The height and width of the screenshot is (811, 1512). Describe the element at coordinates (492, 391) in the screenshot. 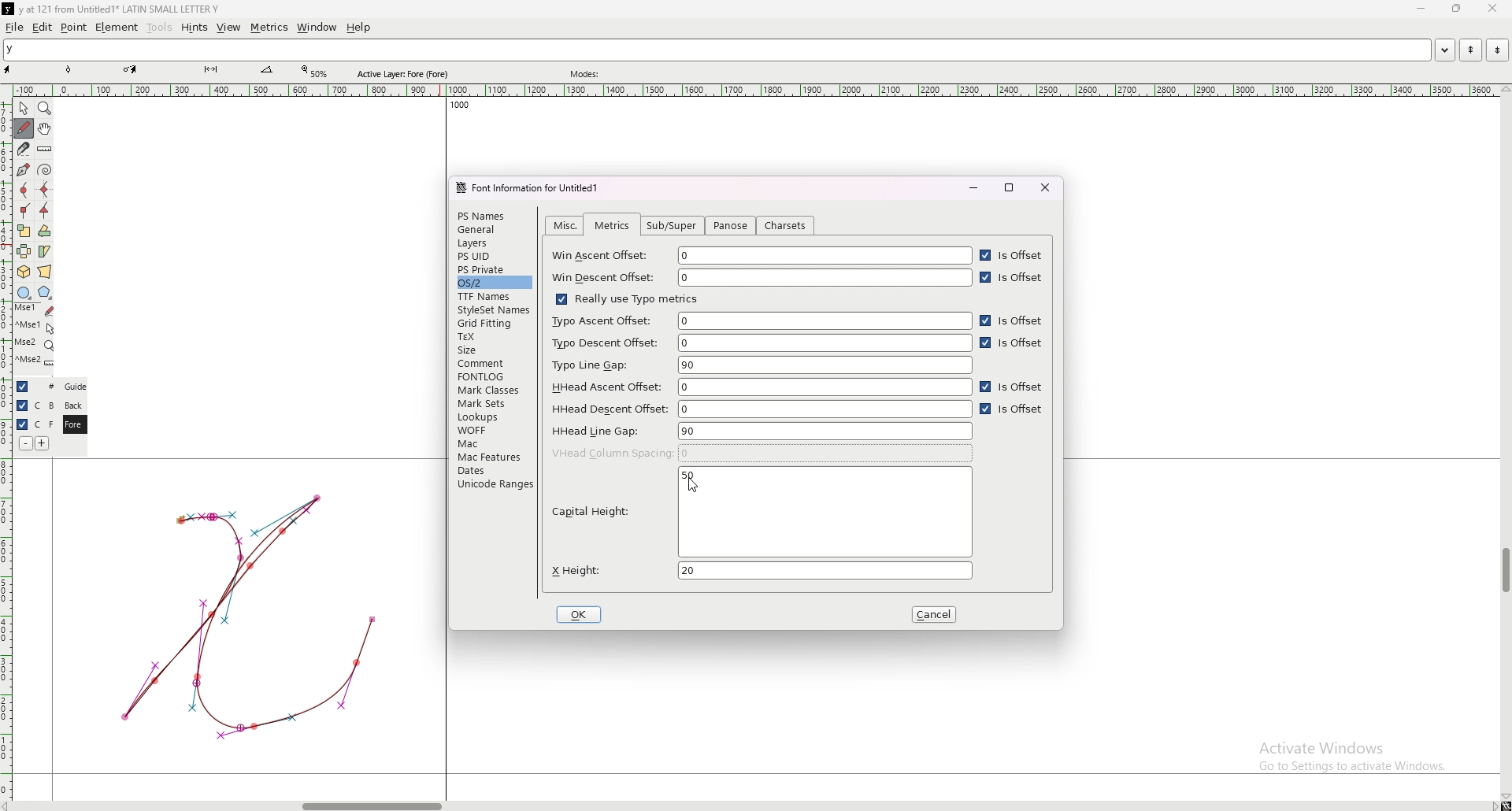

I see `mark classes` at that location.